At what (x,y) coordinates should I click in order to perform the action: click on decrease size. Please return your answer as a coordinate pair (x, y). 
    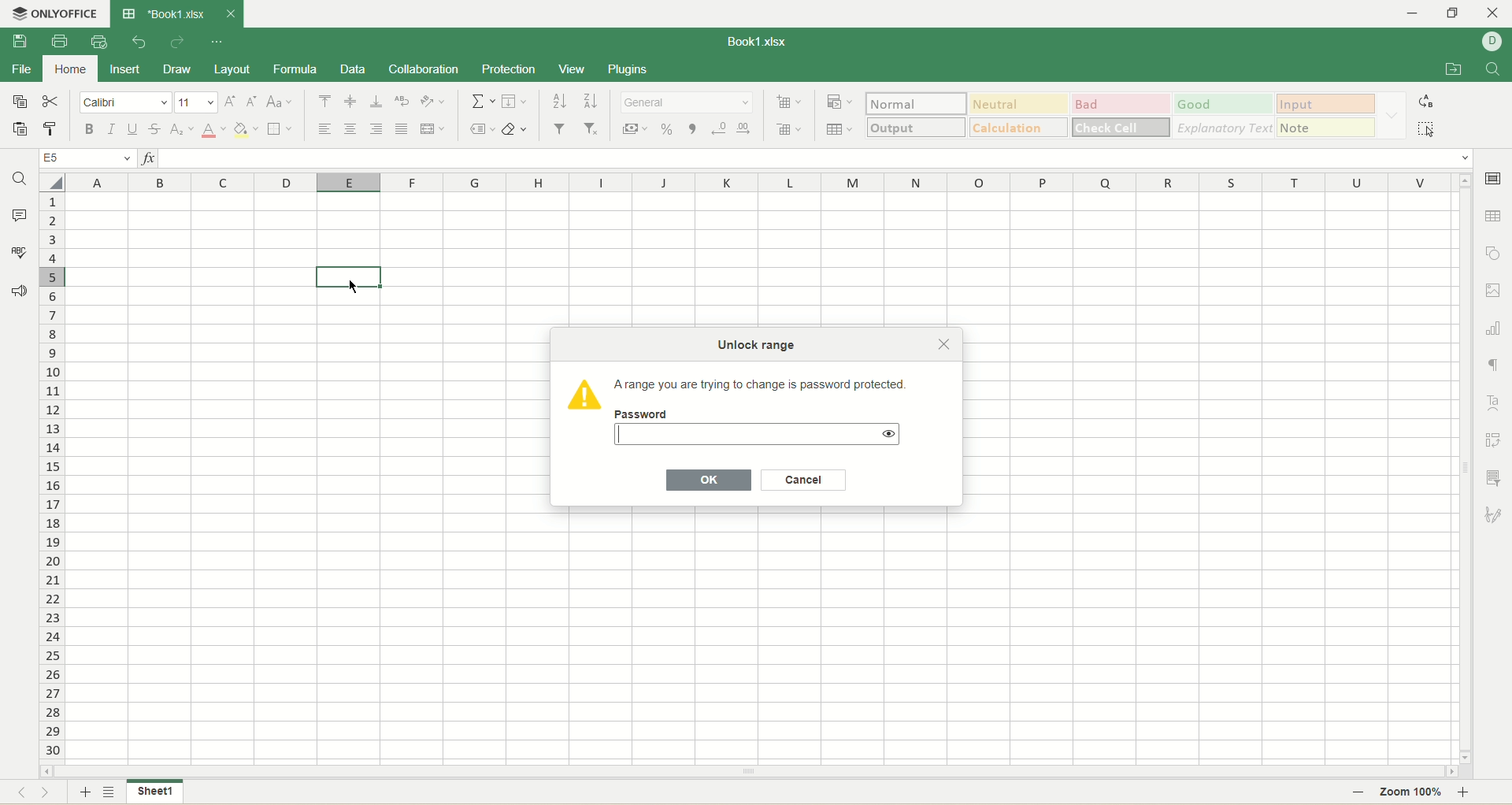
    Looking at the image, I should click on (254, 101).